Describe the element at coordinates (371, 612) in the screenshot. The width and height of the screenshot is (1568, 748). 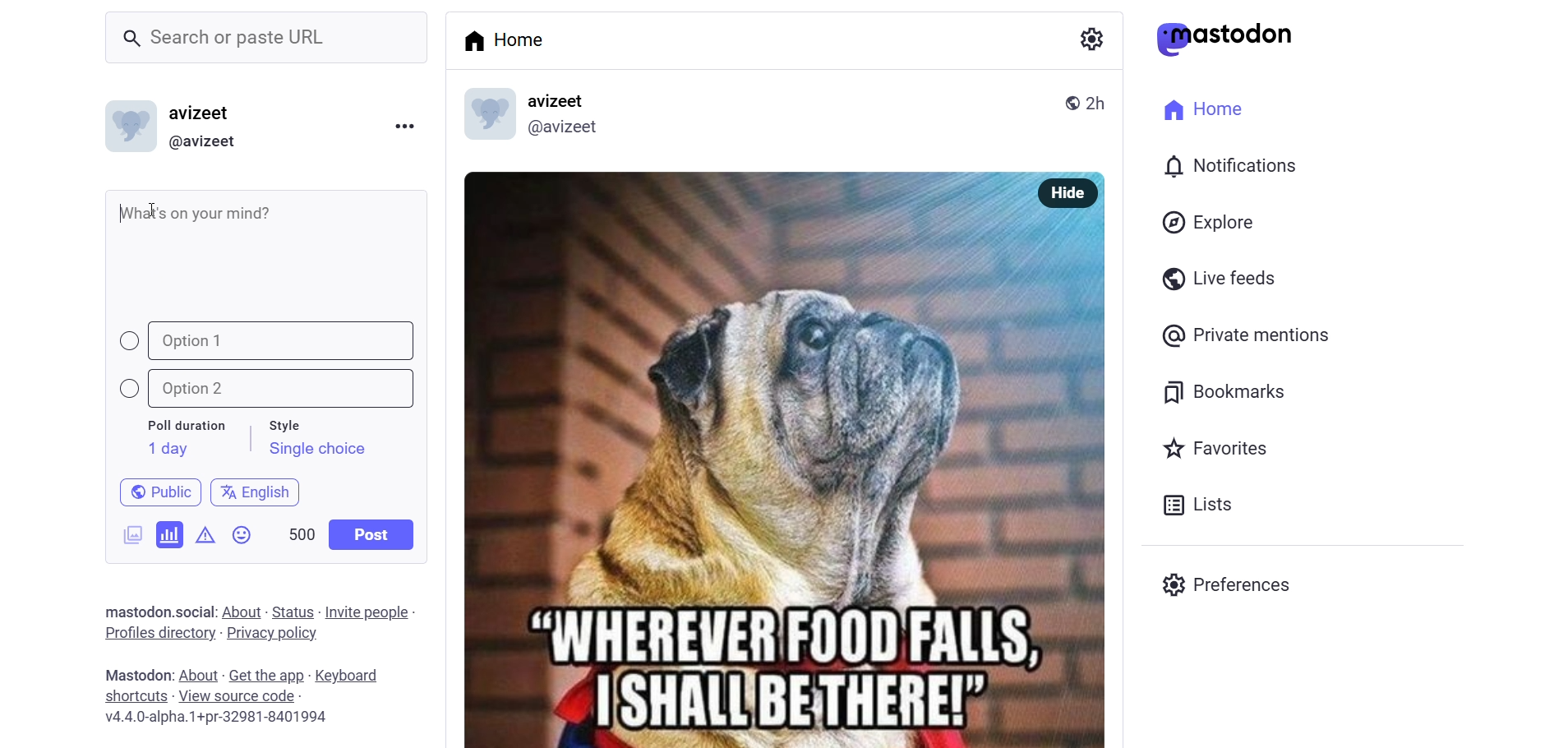
I see `invite people` at that location.